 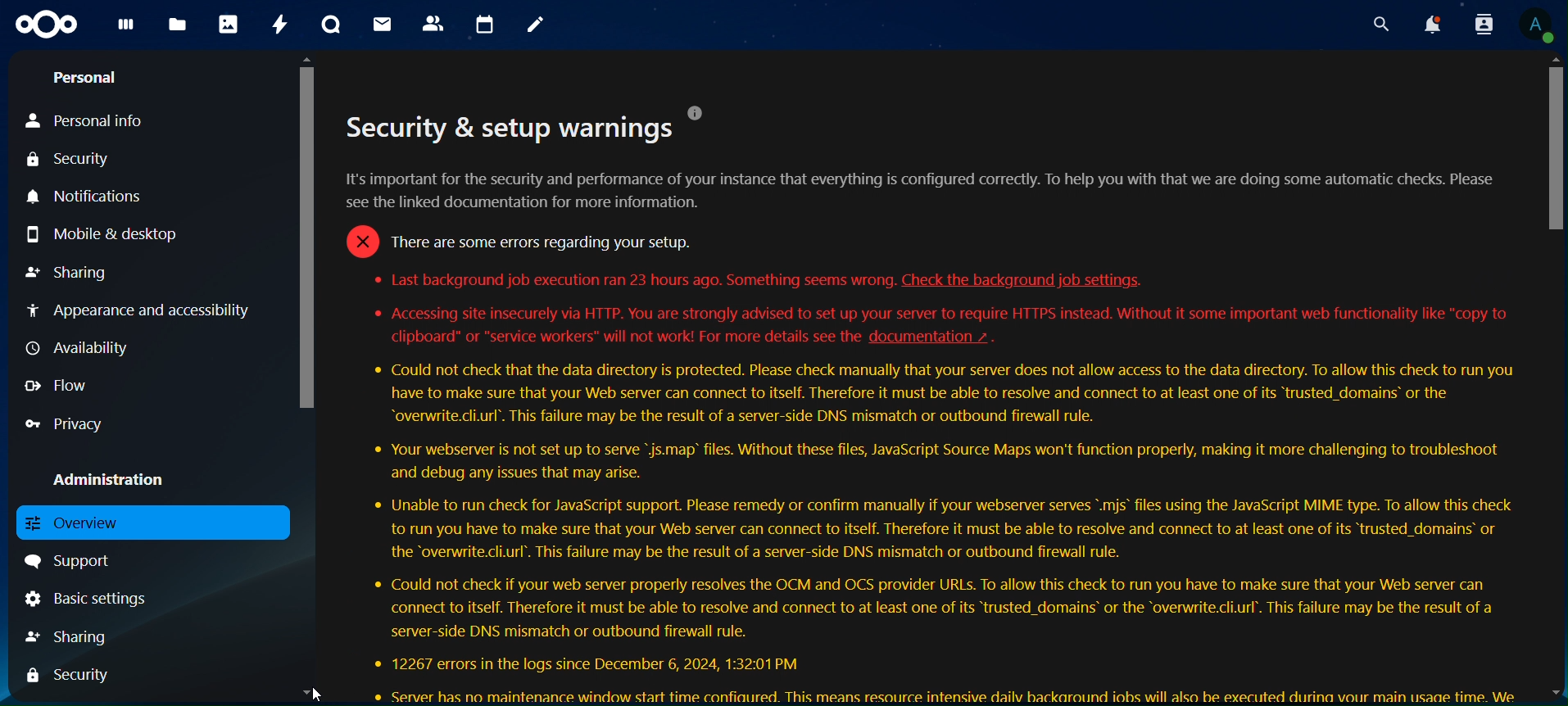 What do you see at coordinates (111, 477) in the screenshot?
I see `administration` at bounding box center [111, 477].